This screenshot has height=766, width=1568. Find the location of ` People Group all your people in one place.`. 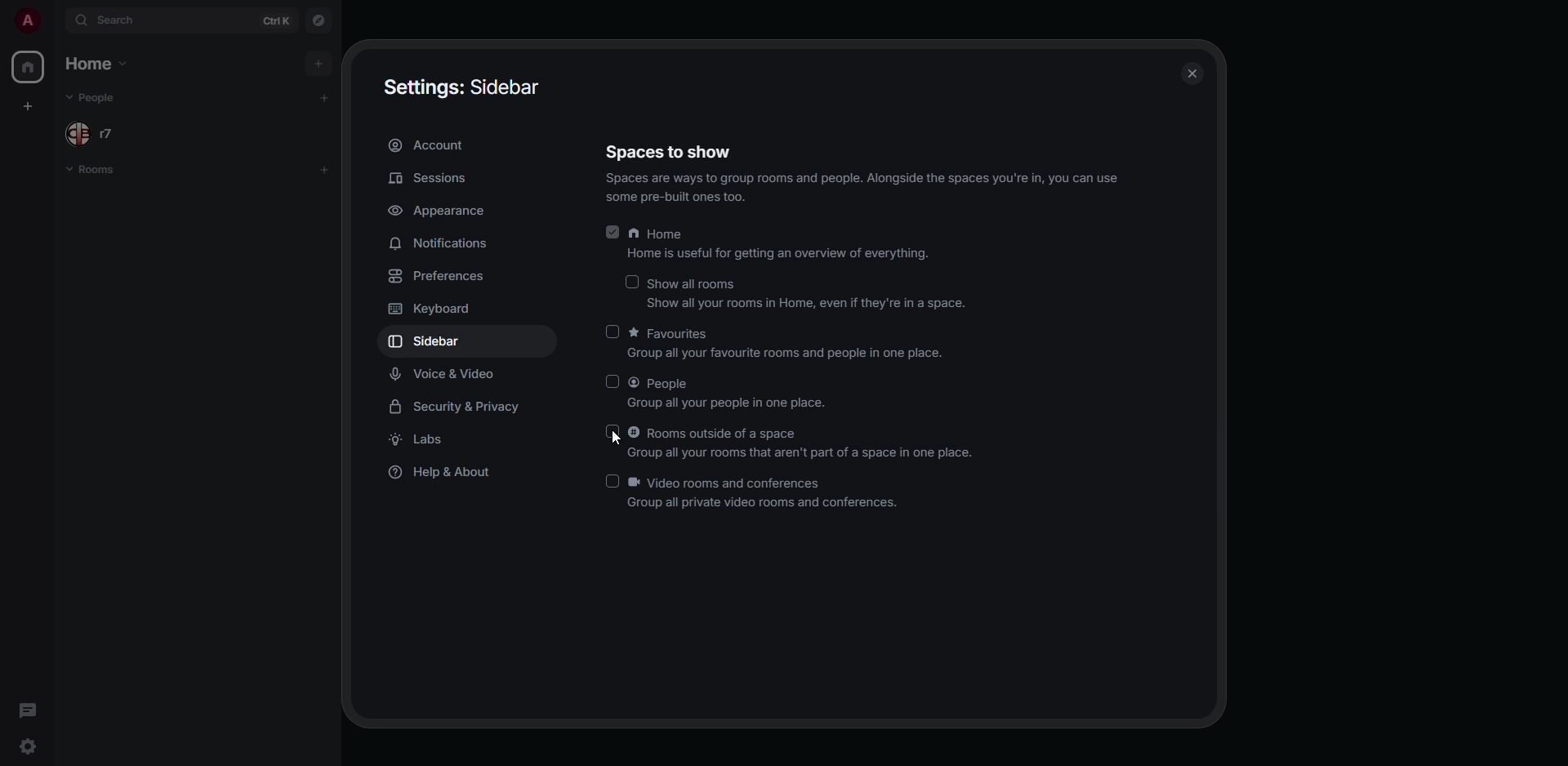

 People Group all your people in one place. is located at coordinates (732, 395).